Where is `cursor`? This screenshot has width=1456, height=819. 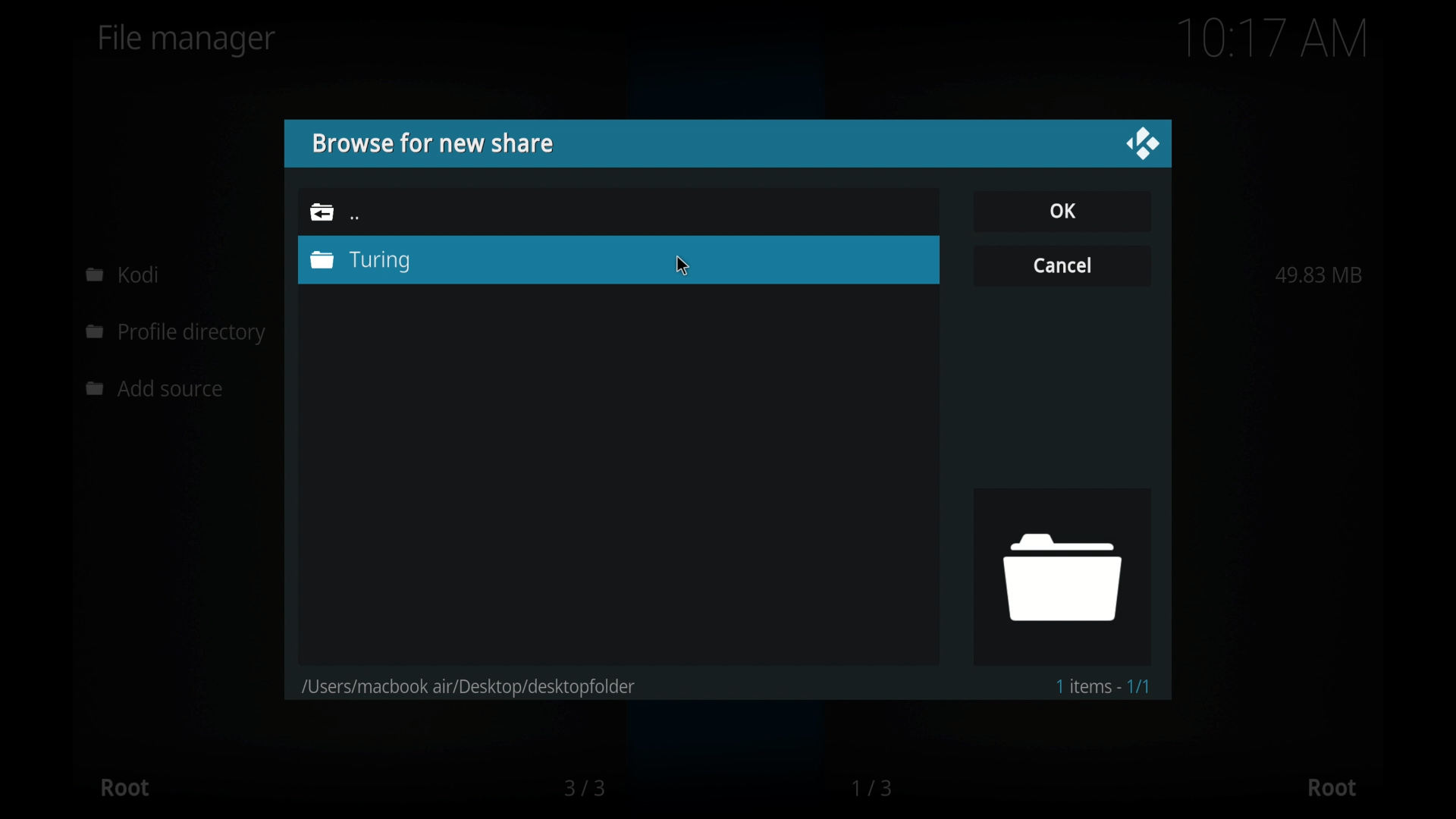 cursor is located at coordinates (683, 265).